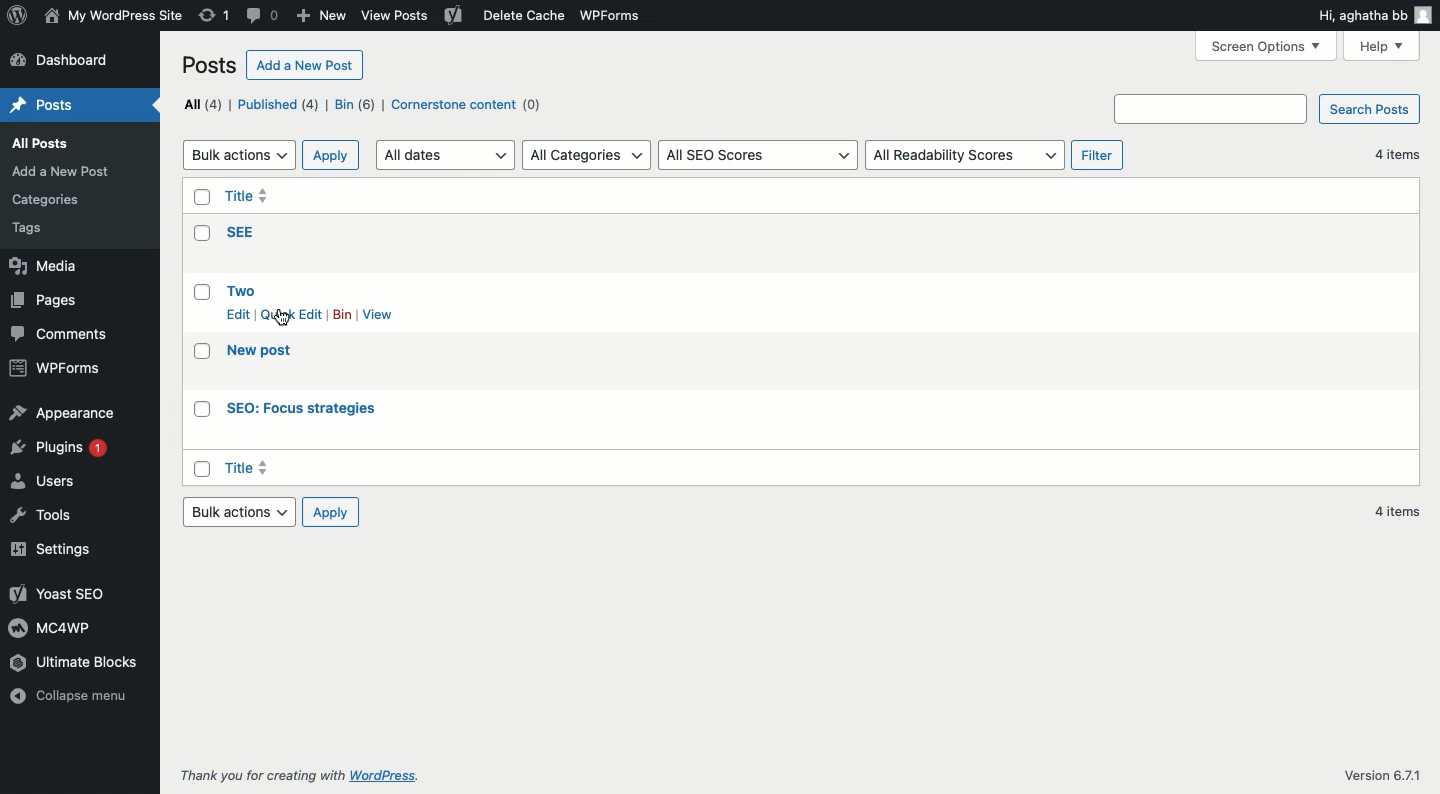  What do you see at coordinates (63, 334) in the screenshot?
I see `Comments` at bounding box center [63, 334].